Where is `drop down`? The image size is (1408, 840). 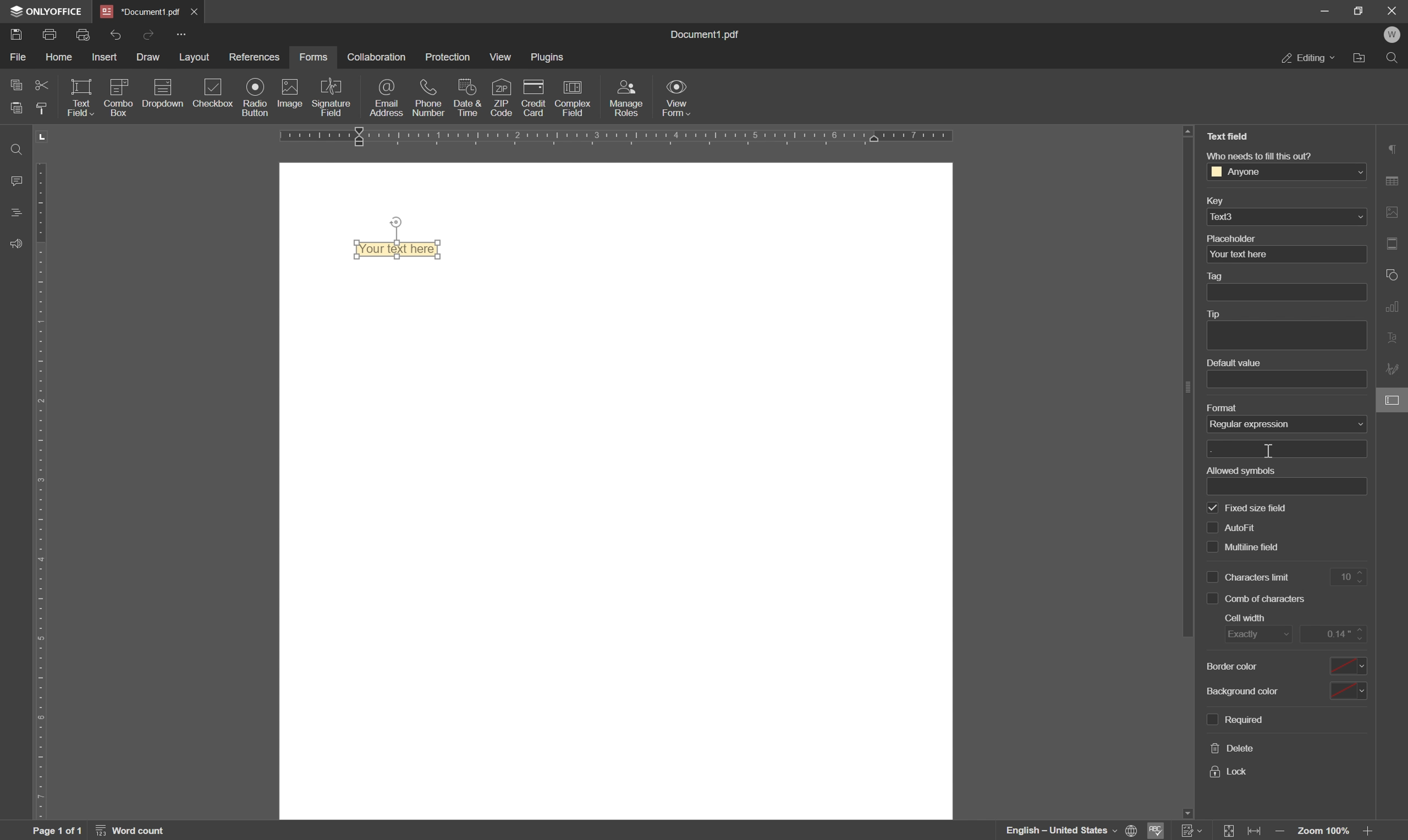 drop down is located at coordinates (1360, 217).